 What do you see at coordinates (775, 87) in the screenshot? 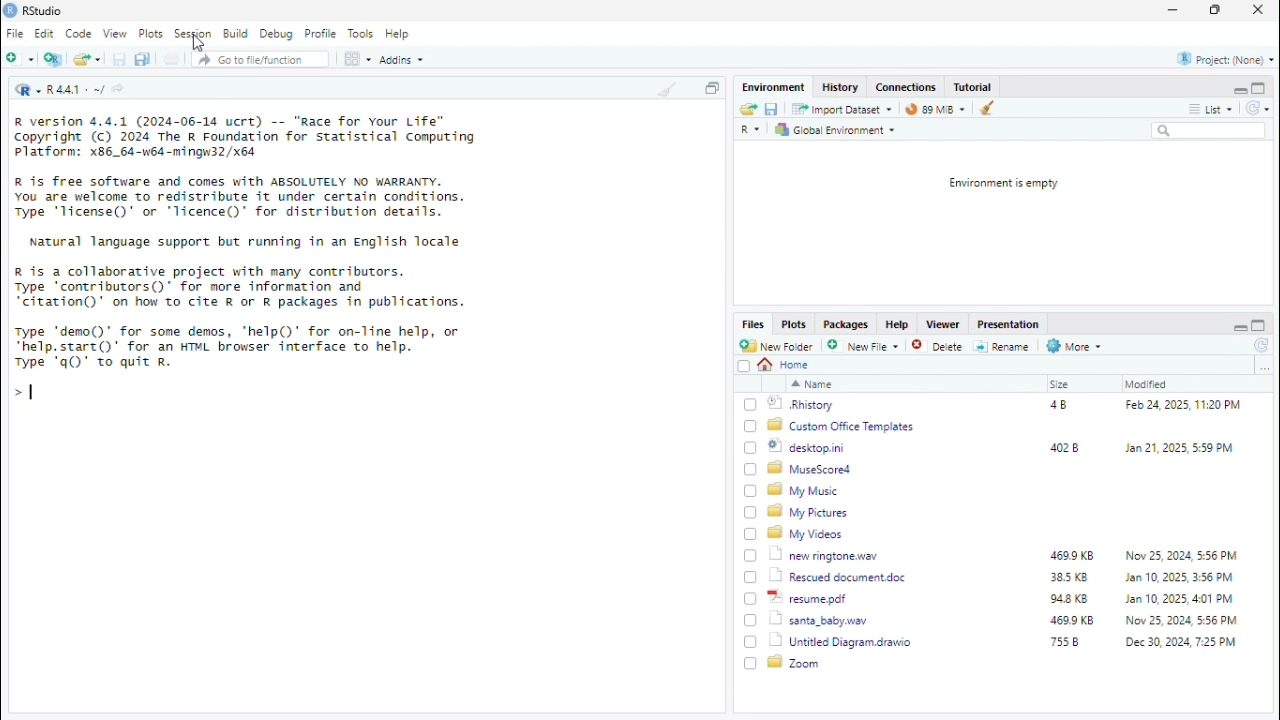
I see `Enviornment` at bounding box center [775, 87].